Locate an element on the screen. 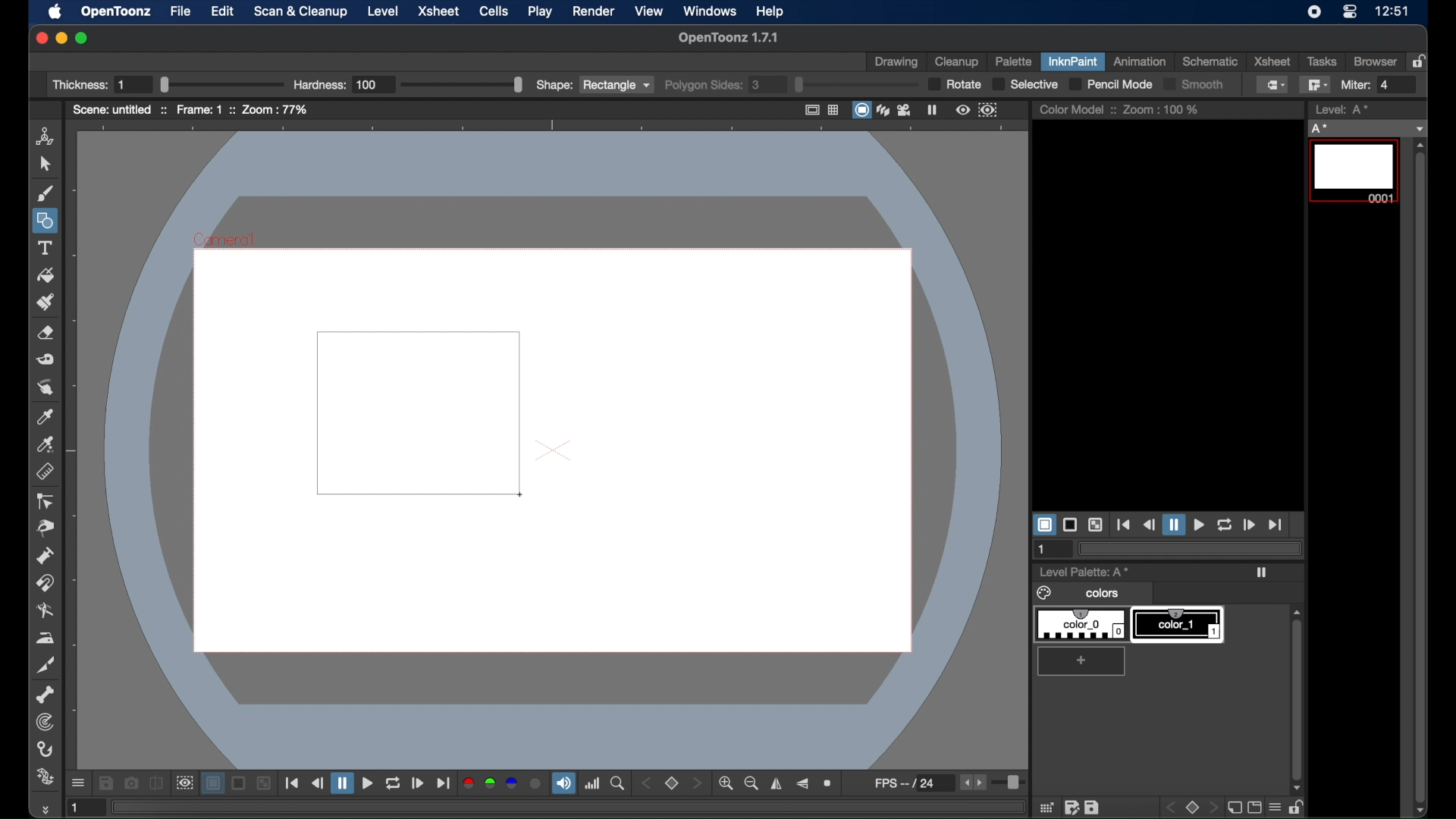 The width and height of the screenshot is (1456, 819). close is located at coordinates (40, 39).